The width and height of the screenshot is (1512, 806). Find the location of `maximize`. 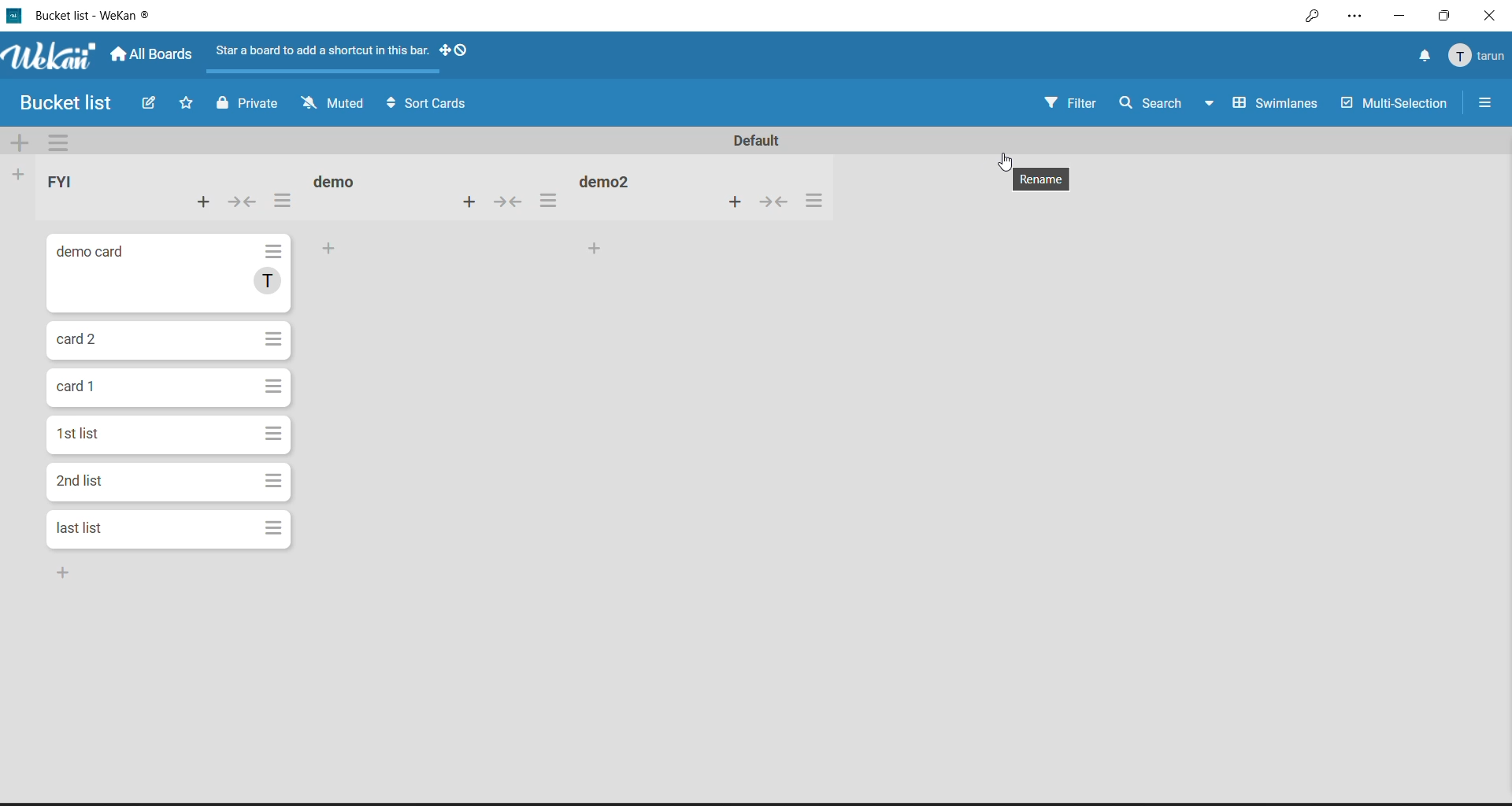

maximize is located at coordinates (1447, 13).